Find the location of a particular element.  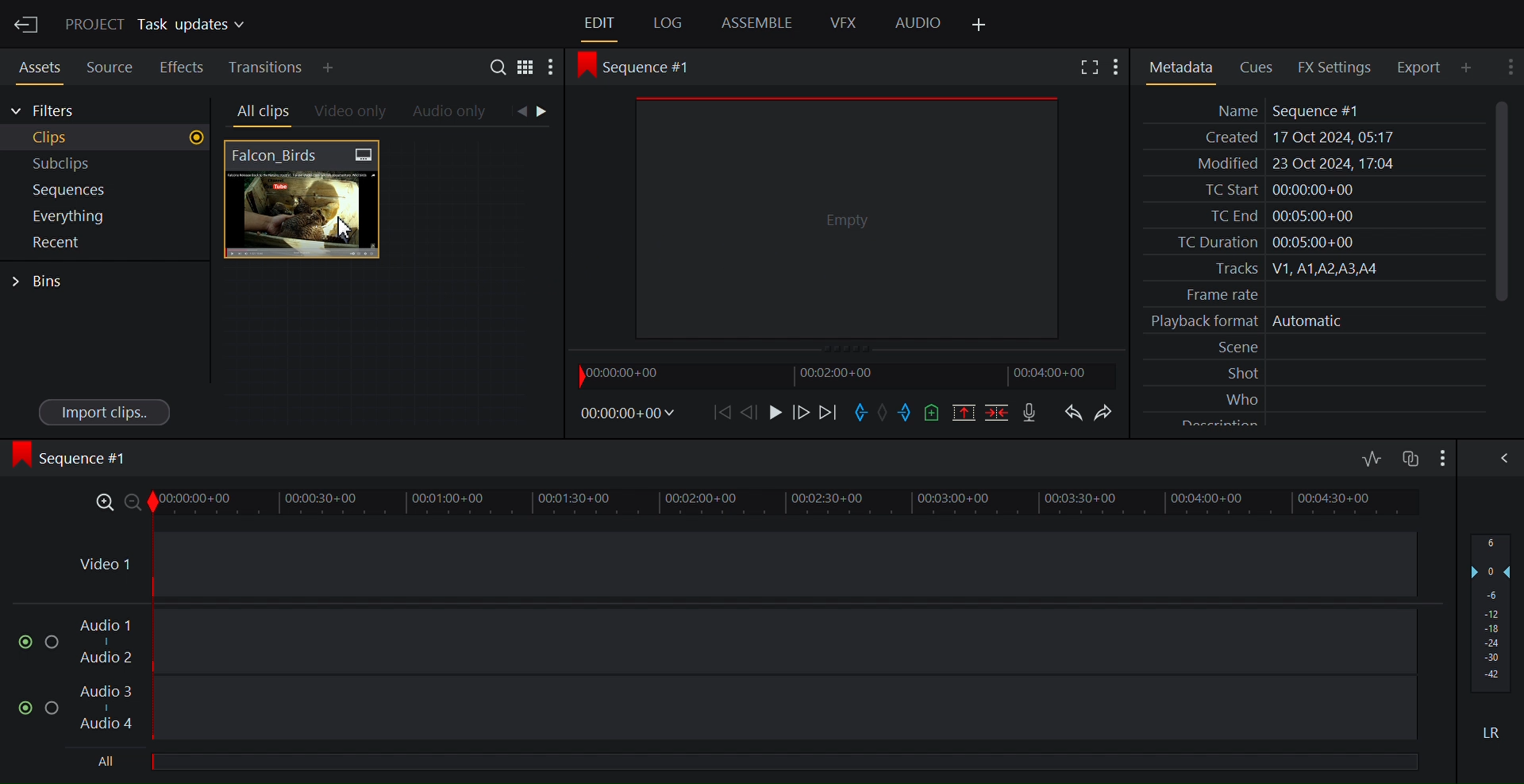

Add is located at coordinates (341, 67).